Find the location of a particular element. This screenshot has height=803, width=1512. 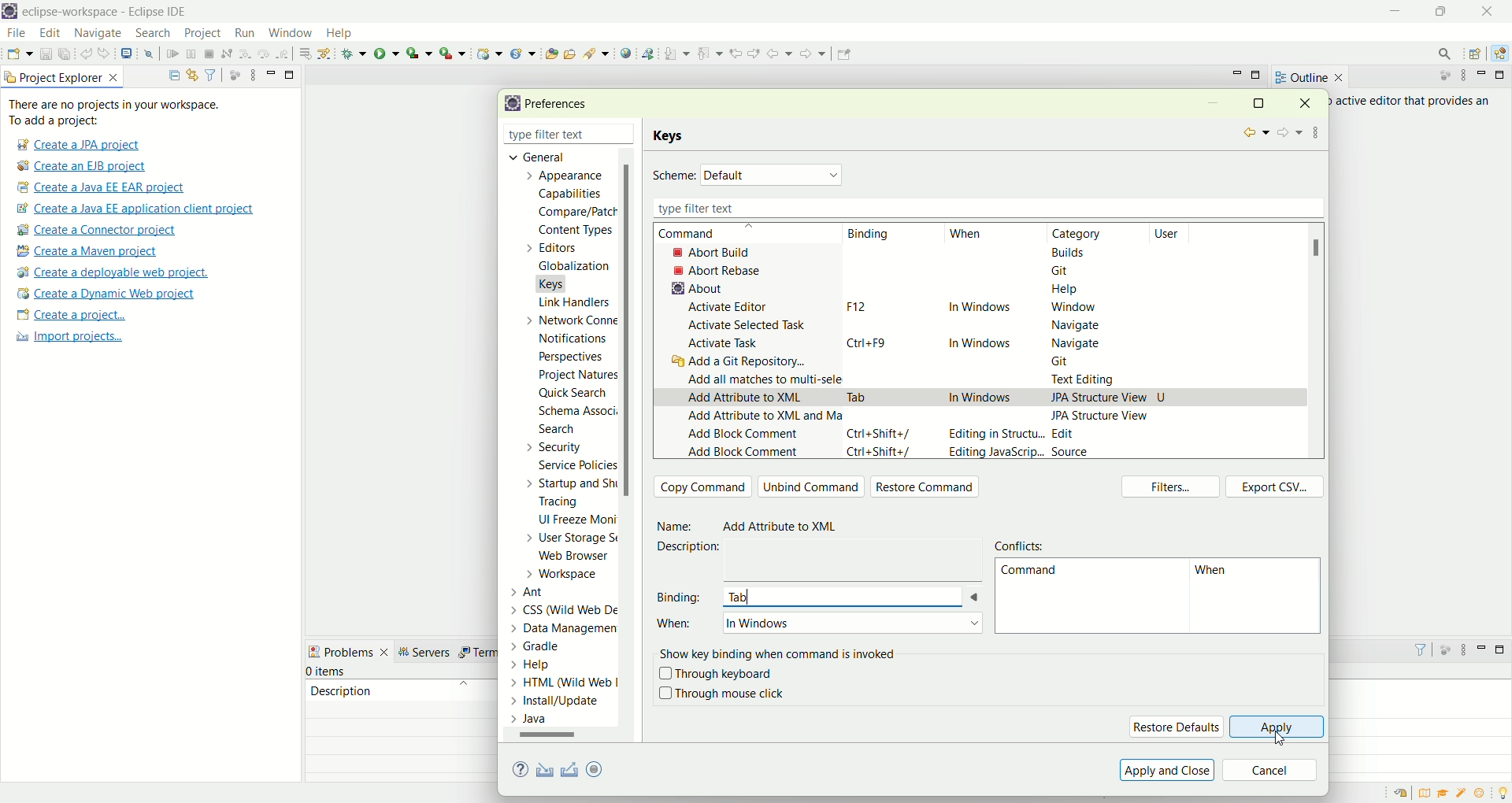

create a Java EE EAR project is located at coordinates (102, 187).